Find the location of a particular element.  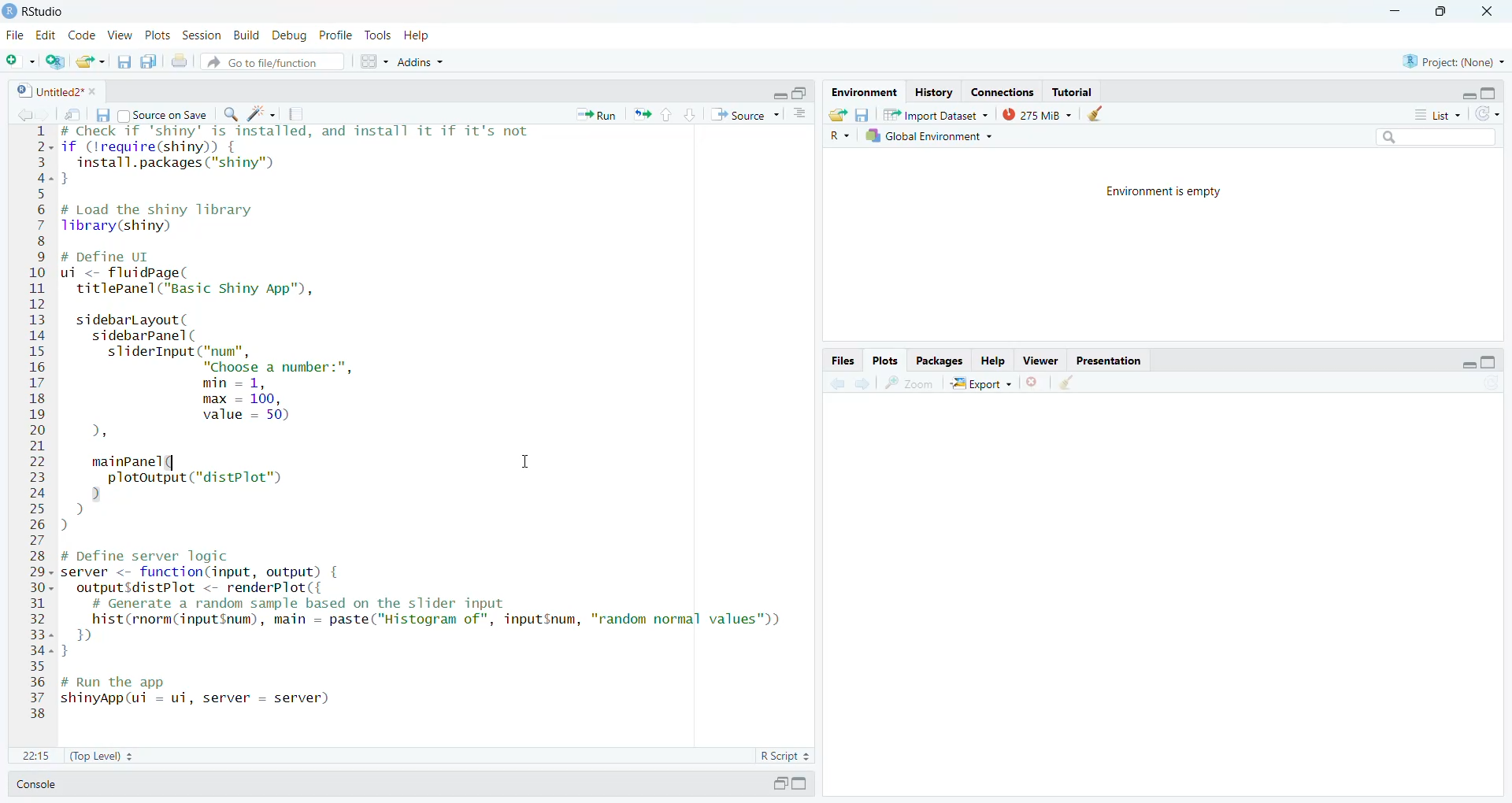

options is located at coordinates (800, 113).